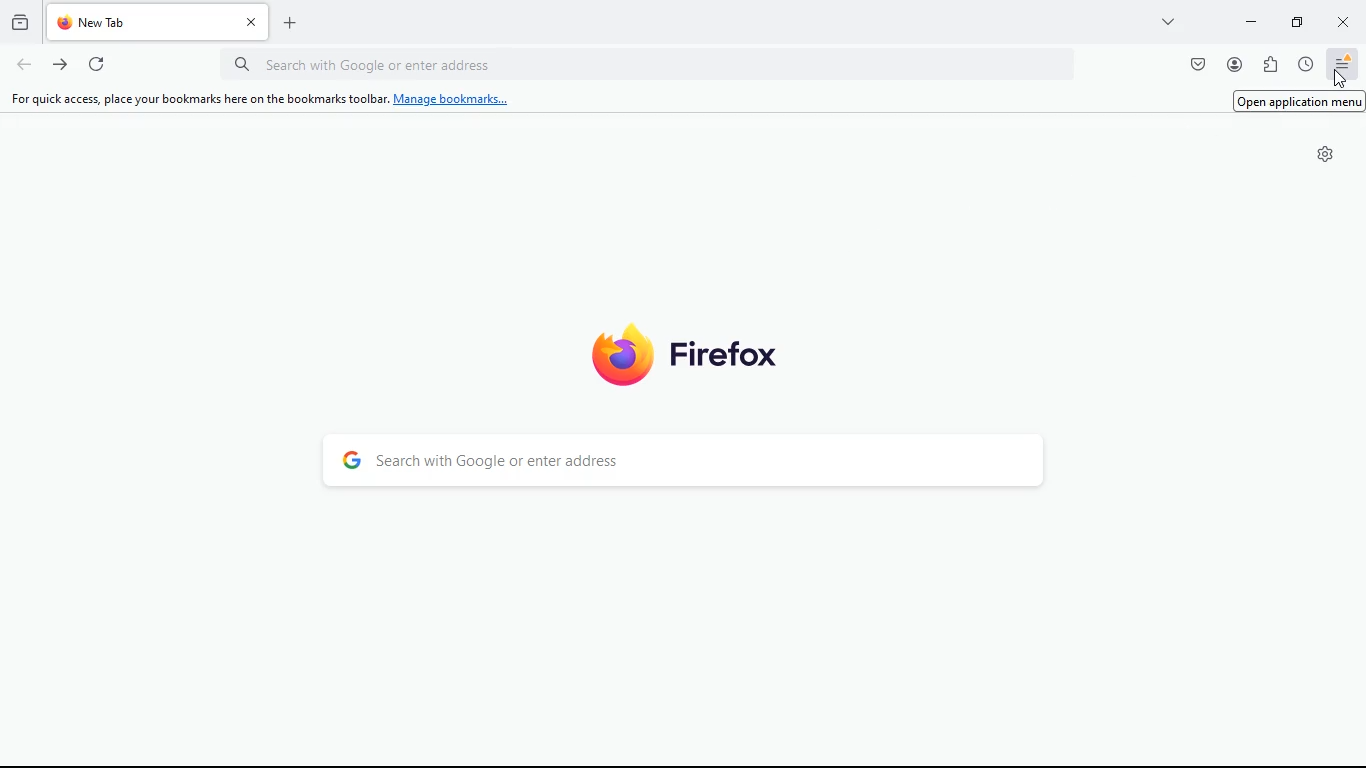  I want to click on minimize, so click(1251, 21).